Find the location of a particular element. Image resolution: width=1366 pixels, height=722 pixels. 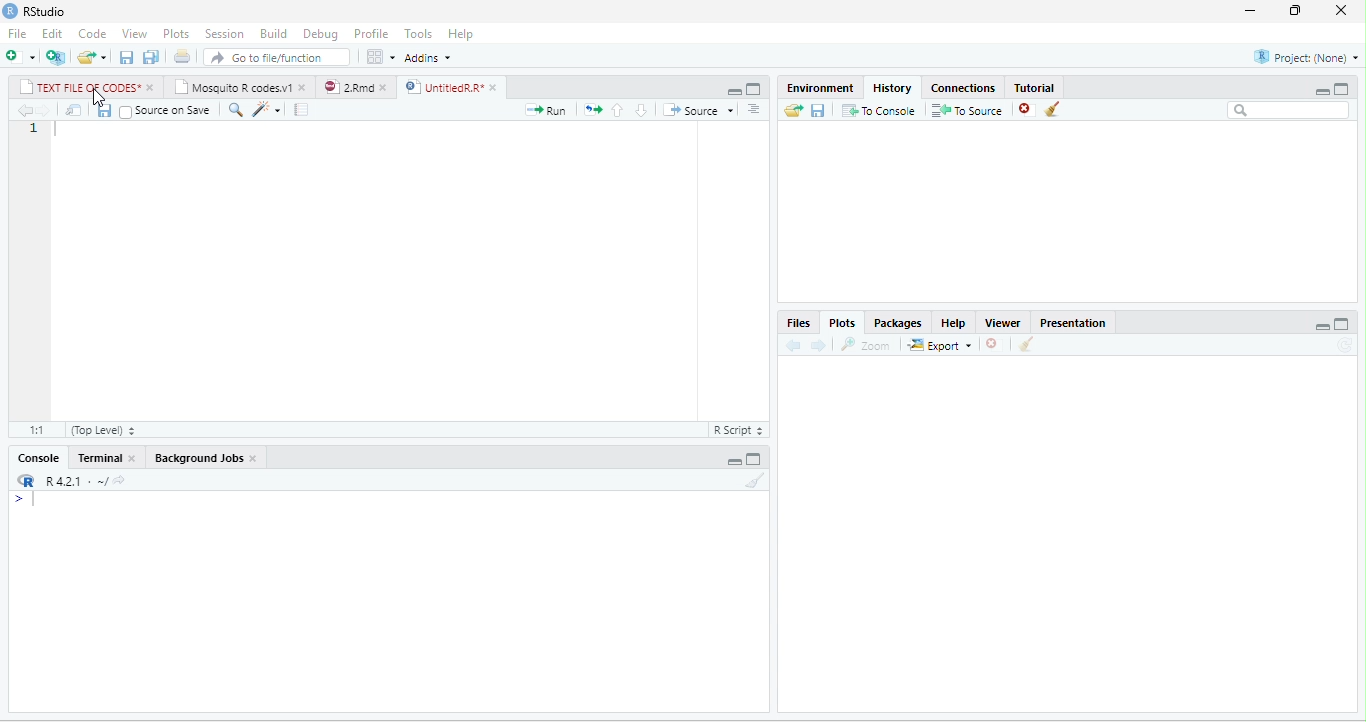

History is located at coordinates (892, 88).